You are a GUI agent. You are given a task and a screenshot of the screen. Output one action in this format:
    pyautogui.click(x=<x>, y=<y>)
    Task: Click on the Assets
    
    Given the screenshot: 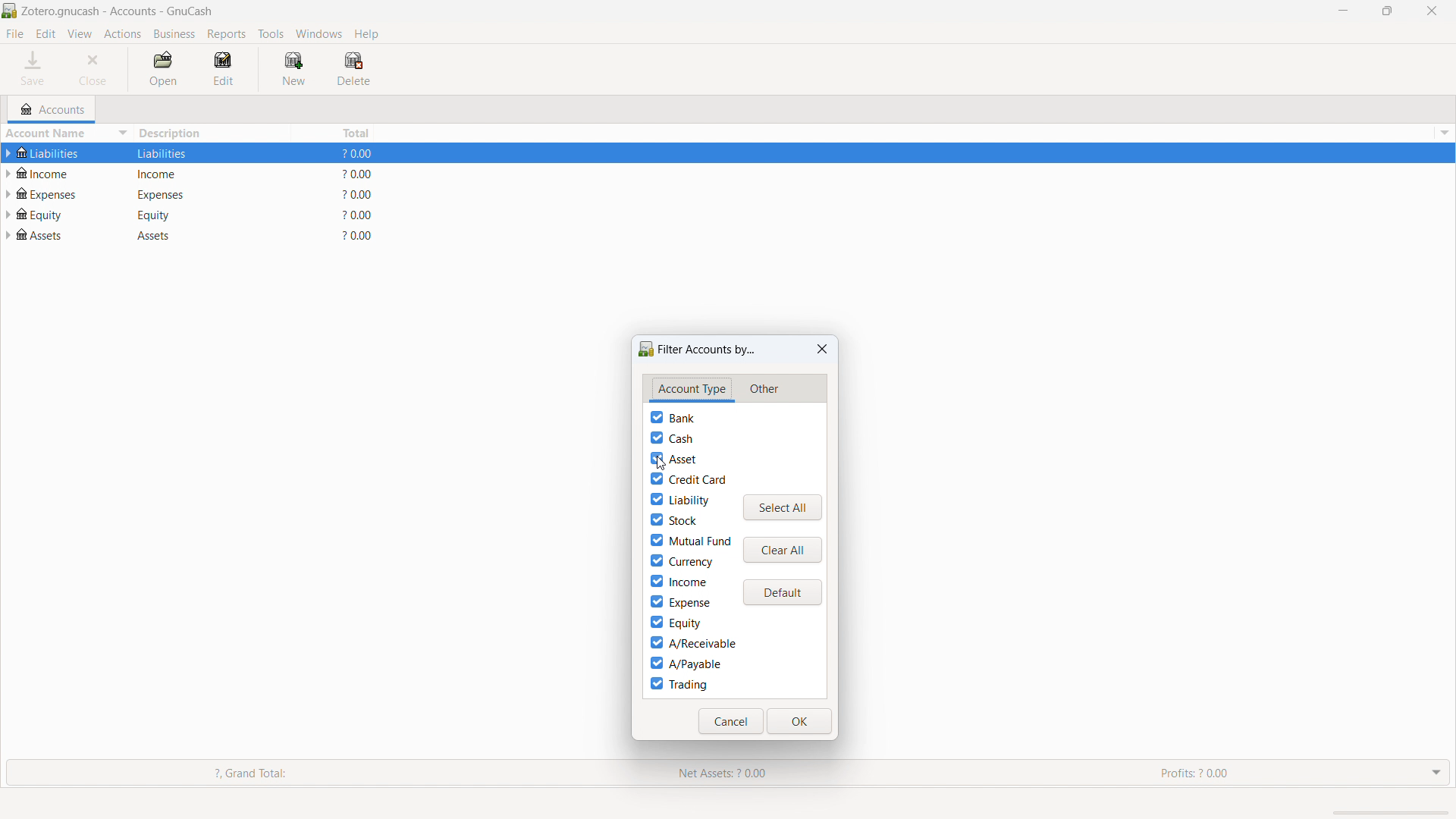 What is the action you would take?
    pyautogui.click(x=47, y=237)
    